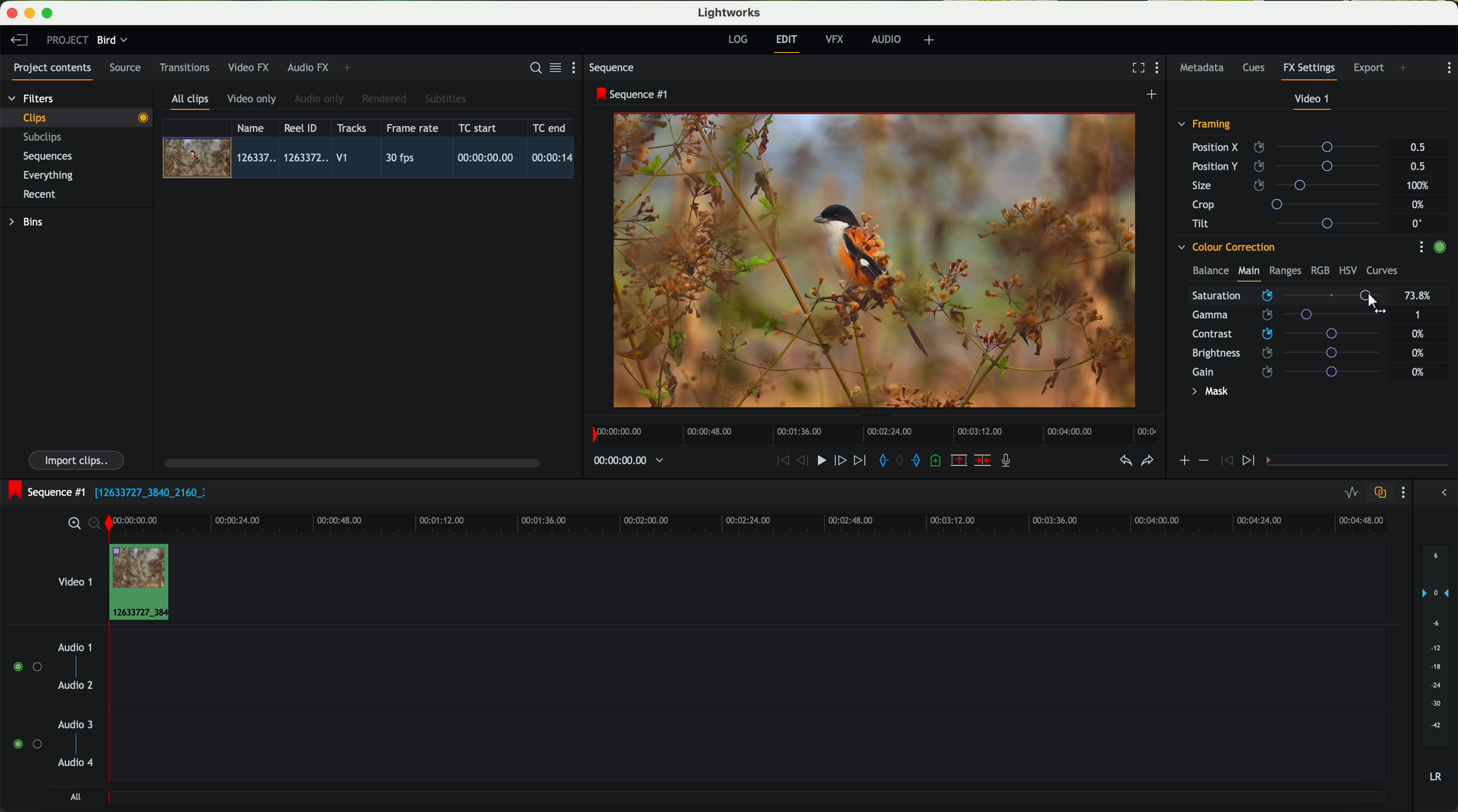 This screenshot has height=812, width=1458. I want to click on remove the marked section, so click(960, 461).